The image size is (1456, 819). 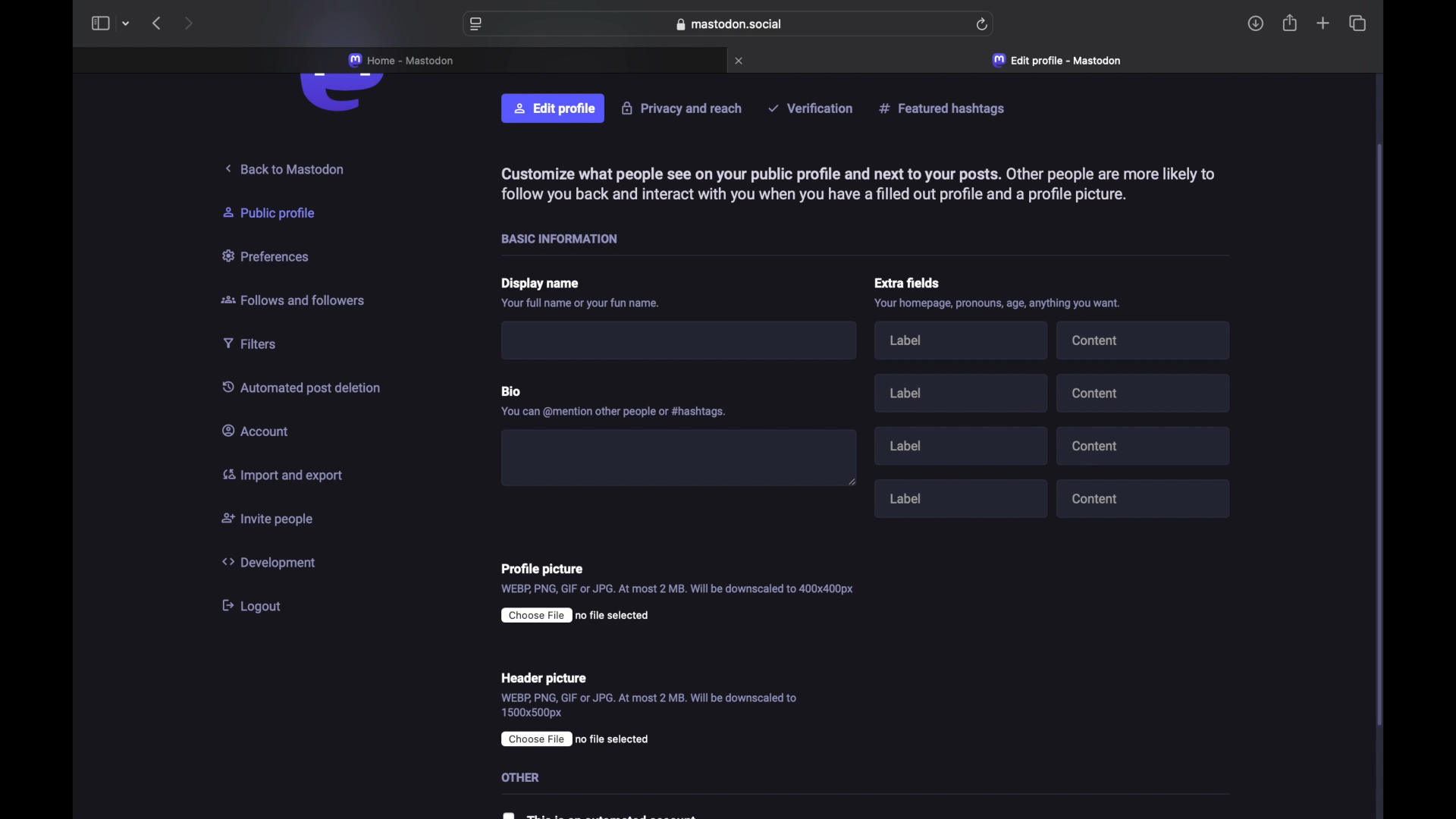 What do you see at coordinates (613, 739) in the screenshot?
I see `no file selected` at bounding box center [613, 739].